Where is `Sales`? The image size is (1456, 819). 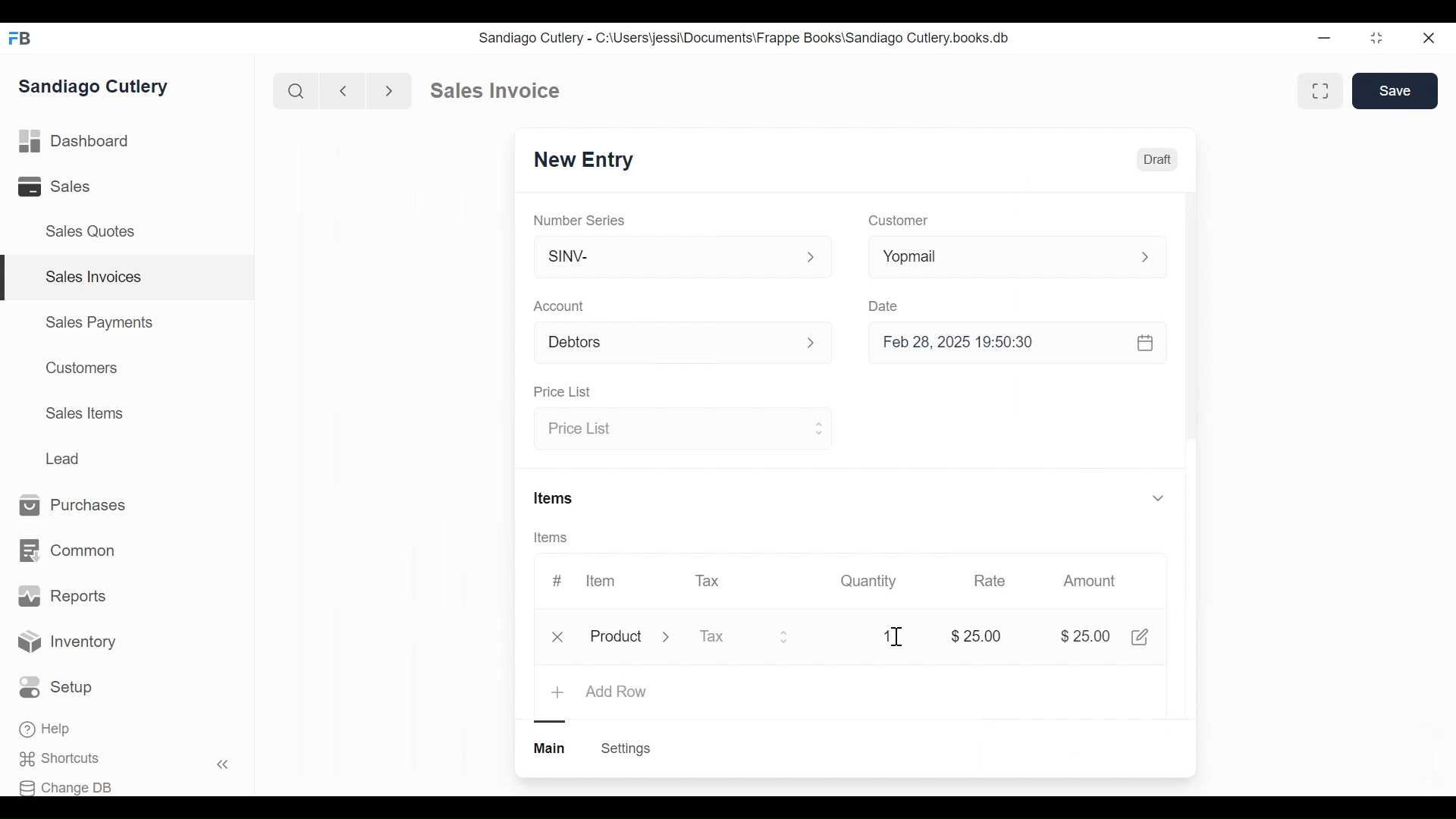 Sales is located at coordinates (57, 186).